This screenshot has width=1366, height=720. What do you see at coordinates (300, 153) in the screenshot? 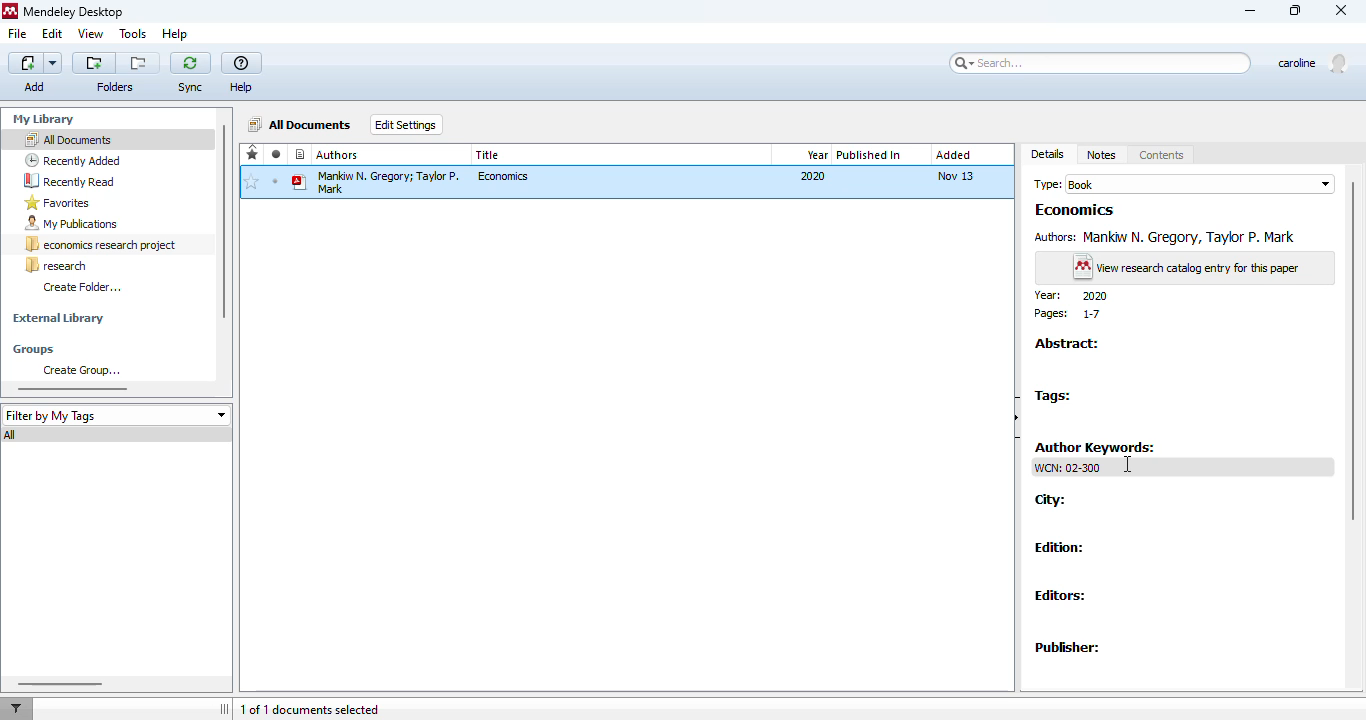
I see `recently added` at bounding box center [300, 153].